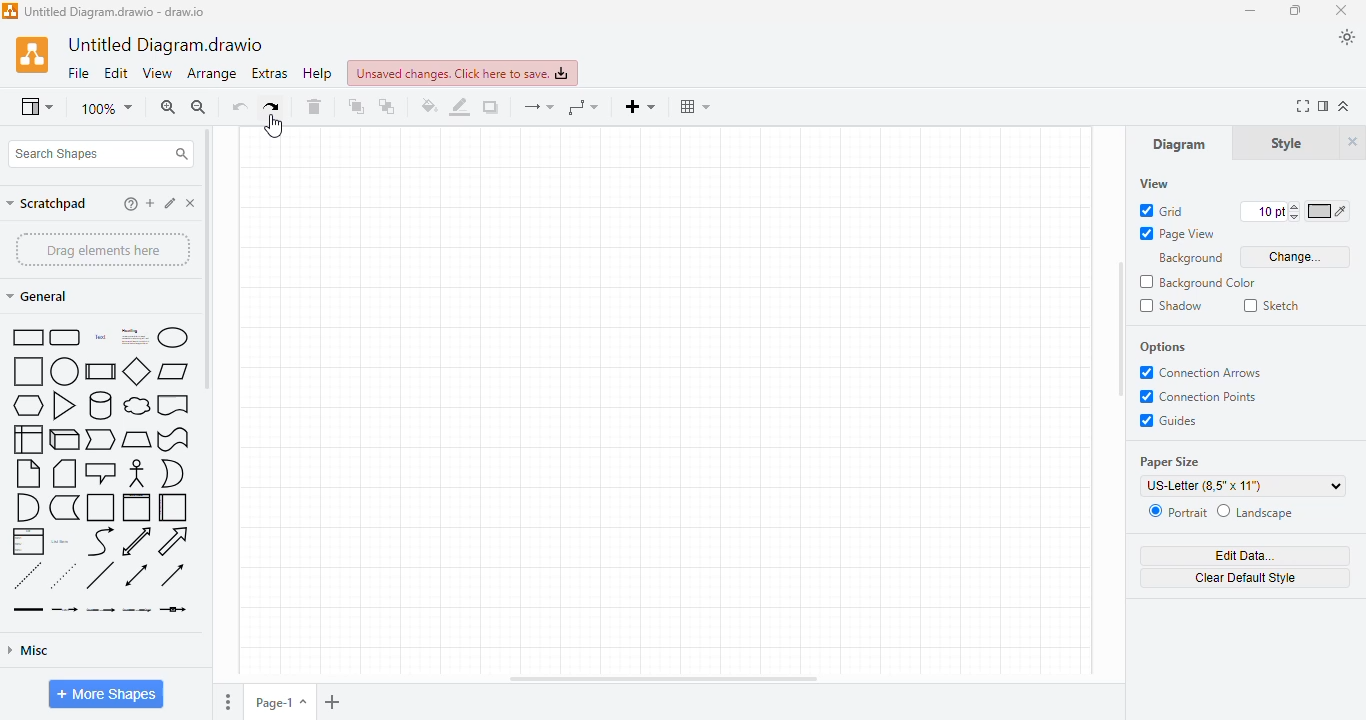  I want to click on grid, so click(1162, 211).